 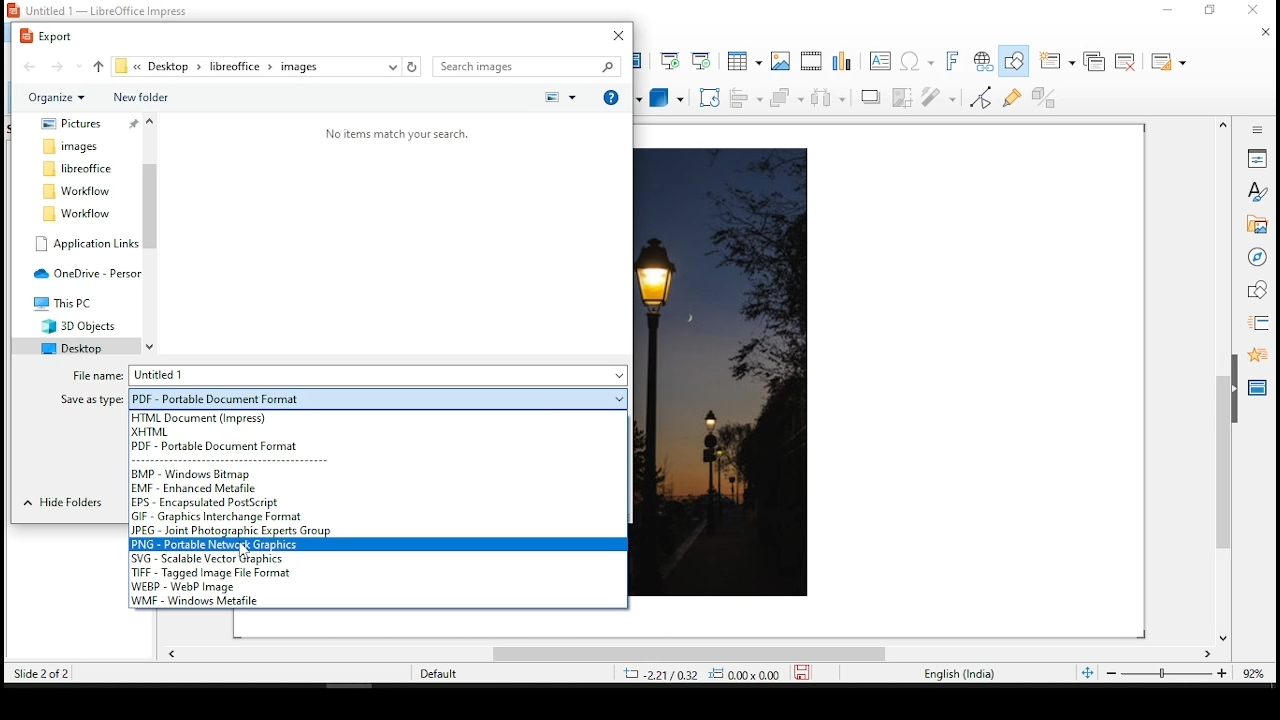 What do you see at coordinates (611, 95) in the screenshot?
I see `get help` at bounding box center [611, 95].